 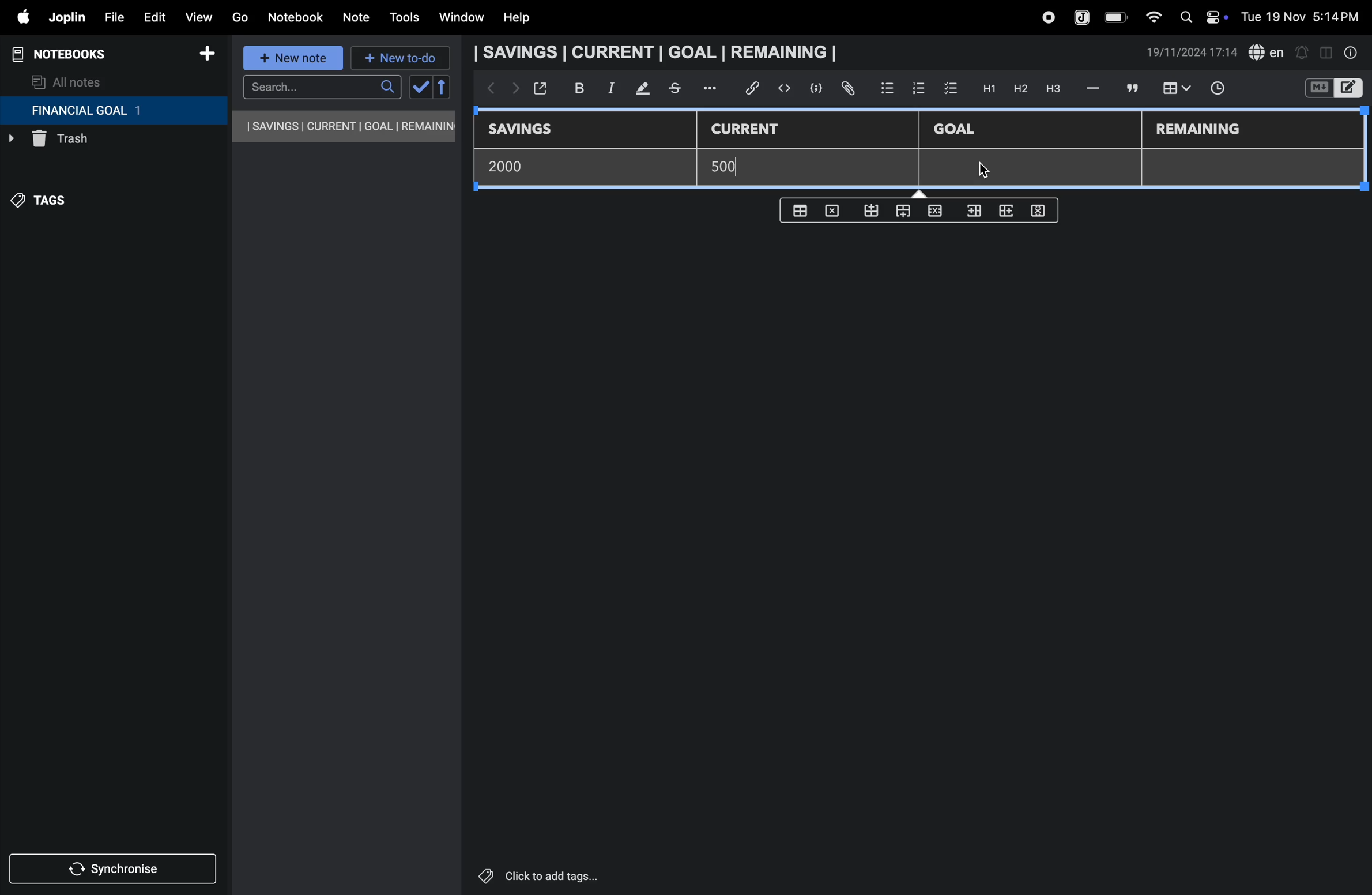 I want to click on current, so click(x=753, y=130).